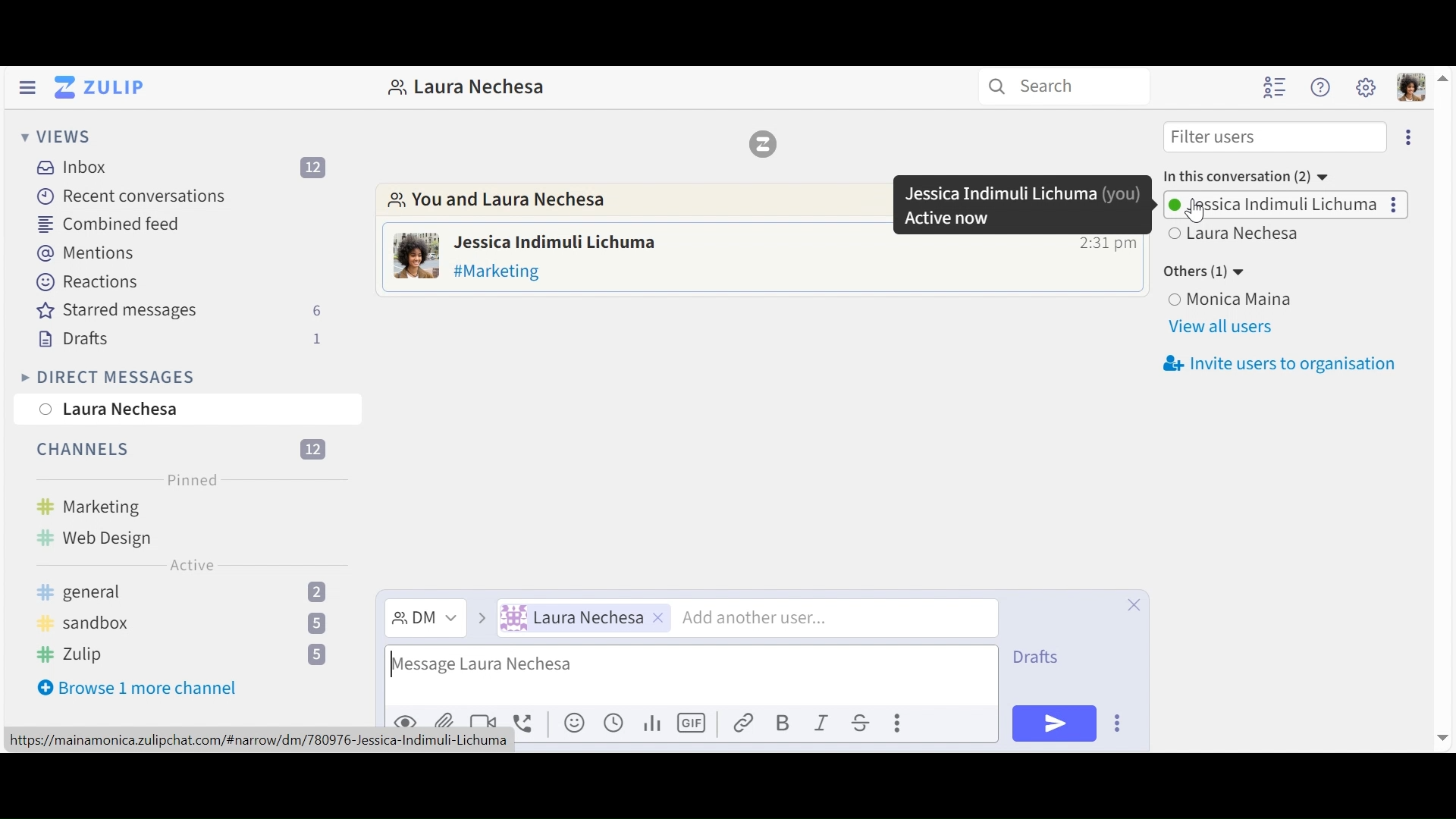 The width and height of the screenshot is (1456, 819). What do you see at coordinates (745, 722) in the screenshot?
I see `Add link` at bounding box center [745, 722].